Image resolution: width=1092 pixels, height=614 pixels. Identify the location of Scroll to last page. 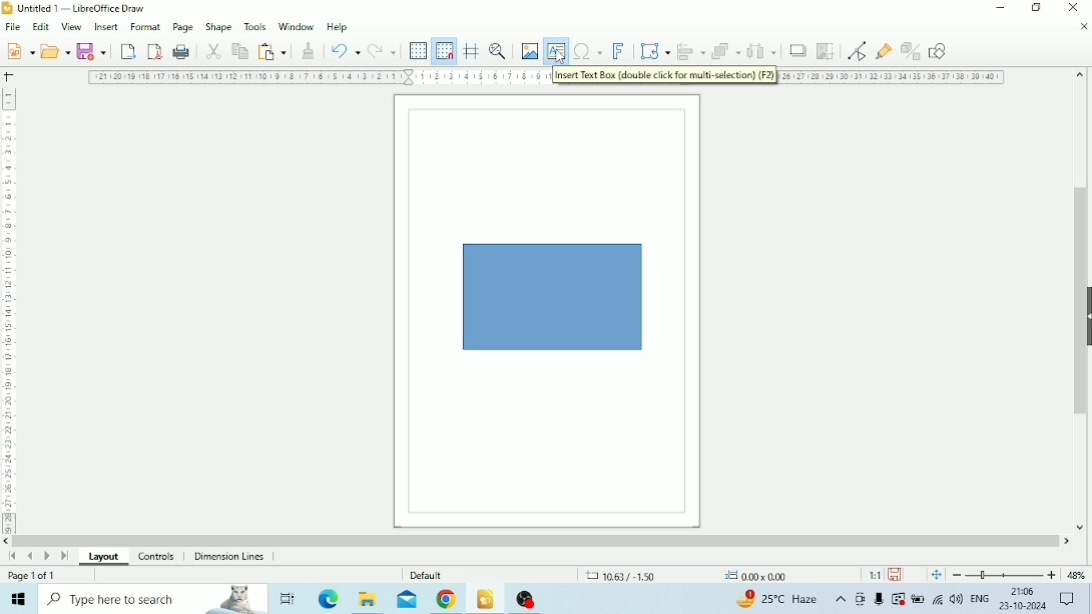
(64, 556).